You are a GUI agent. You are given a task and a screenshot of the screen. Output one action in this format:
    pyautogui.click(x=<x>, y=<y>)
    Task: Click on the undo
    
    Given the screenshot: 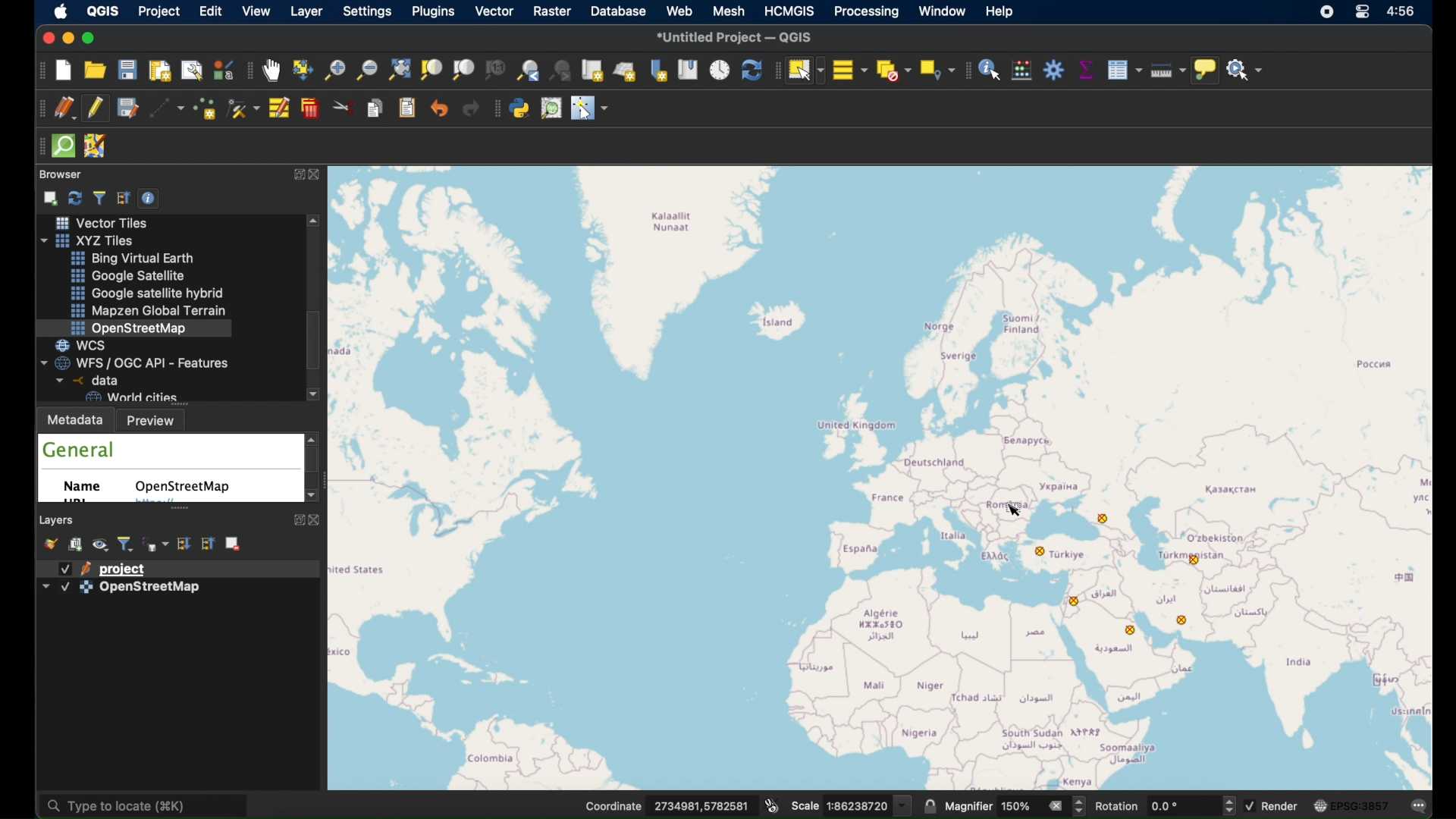 What is the action you would take?
    pyautogui.click(x=439, y=109)
    